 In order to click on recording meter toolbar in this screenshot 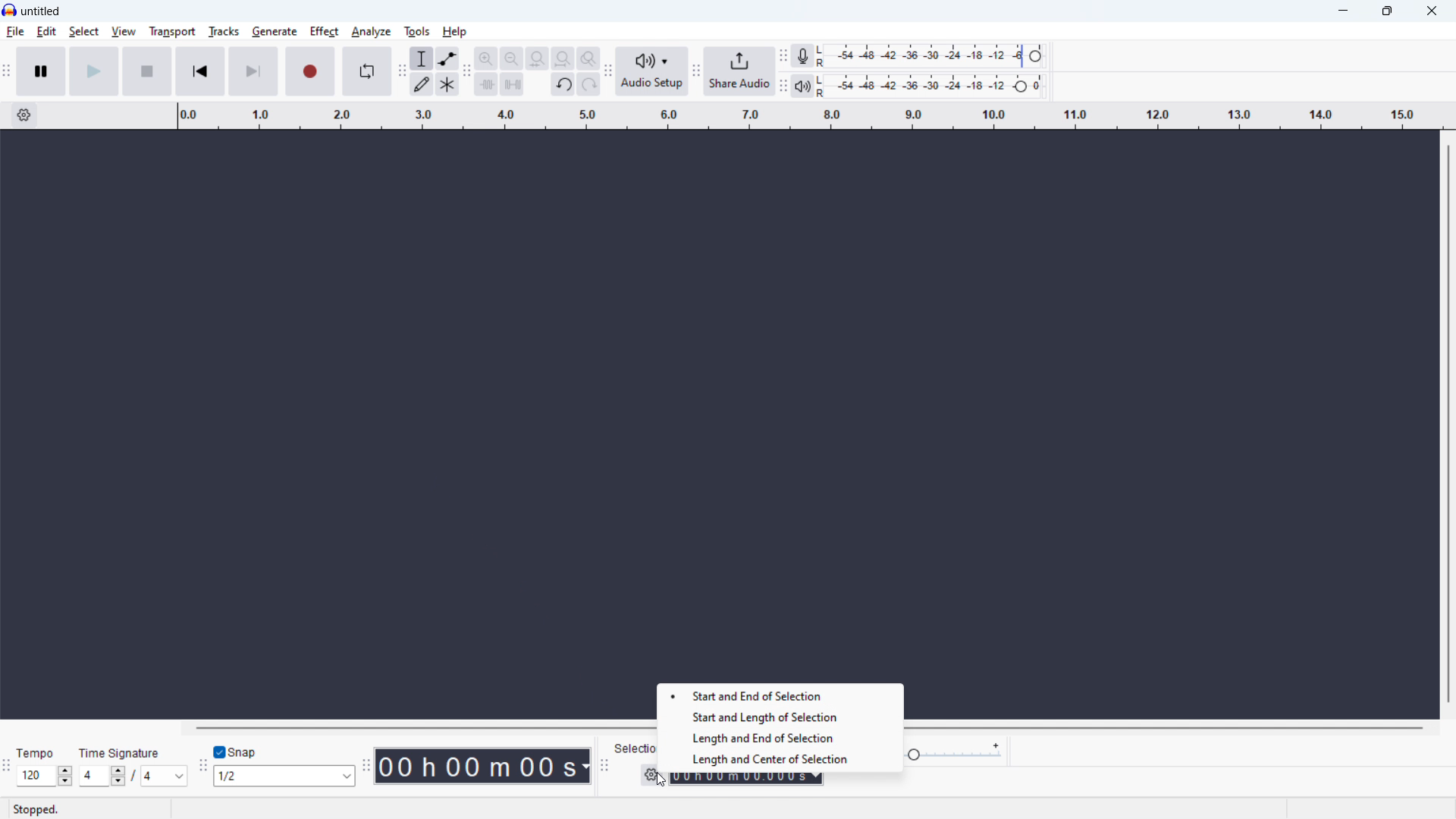, I will do `click(783, 56)`.